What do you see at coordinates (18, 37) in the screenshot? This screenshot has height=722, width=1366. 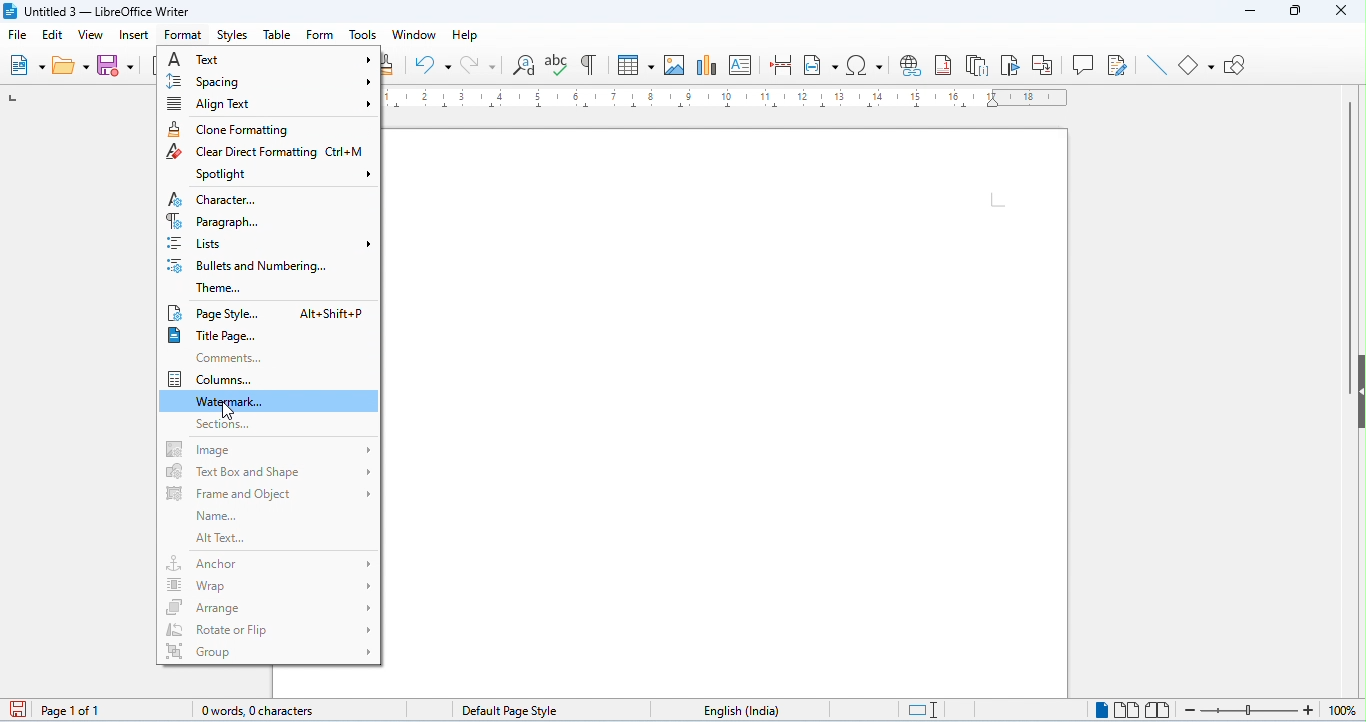 I see `file` at bounding box center [18, 37].